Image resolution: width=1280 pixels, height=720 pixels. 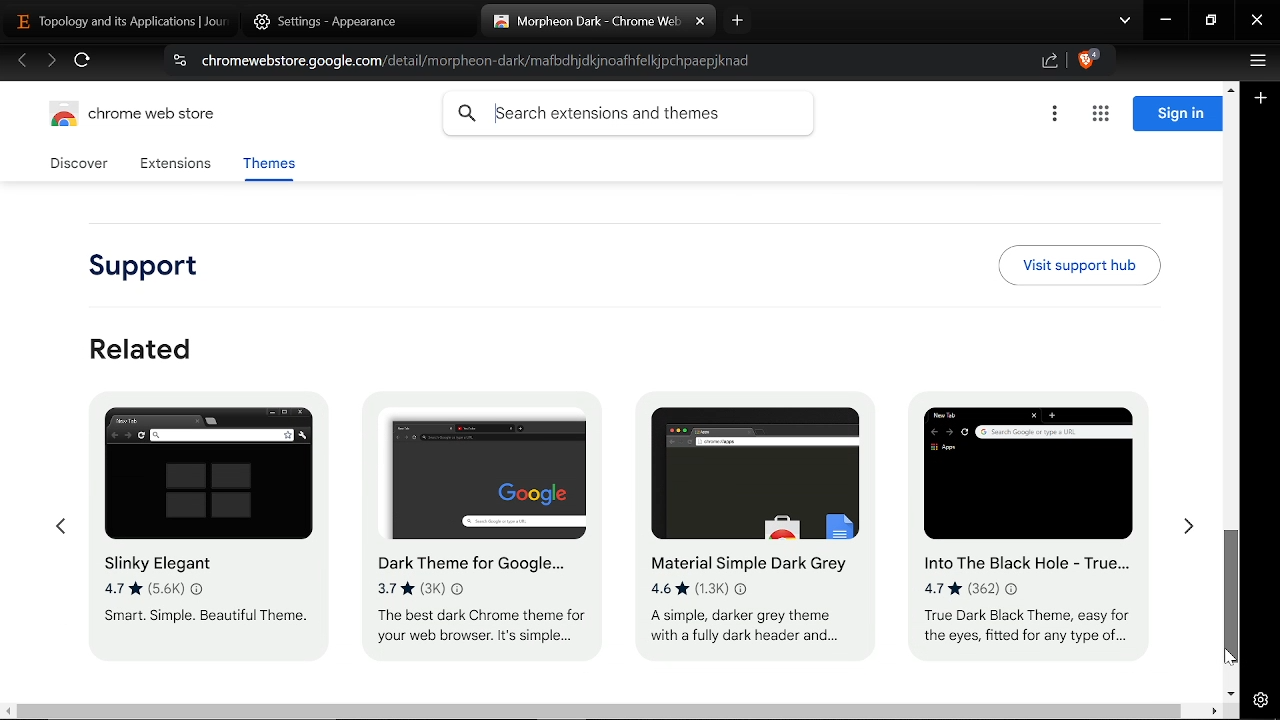 I want to click on Settings, so click(x=1260, y=700).